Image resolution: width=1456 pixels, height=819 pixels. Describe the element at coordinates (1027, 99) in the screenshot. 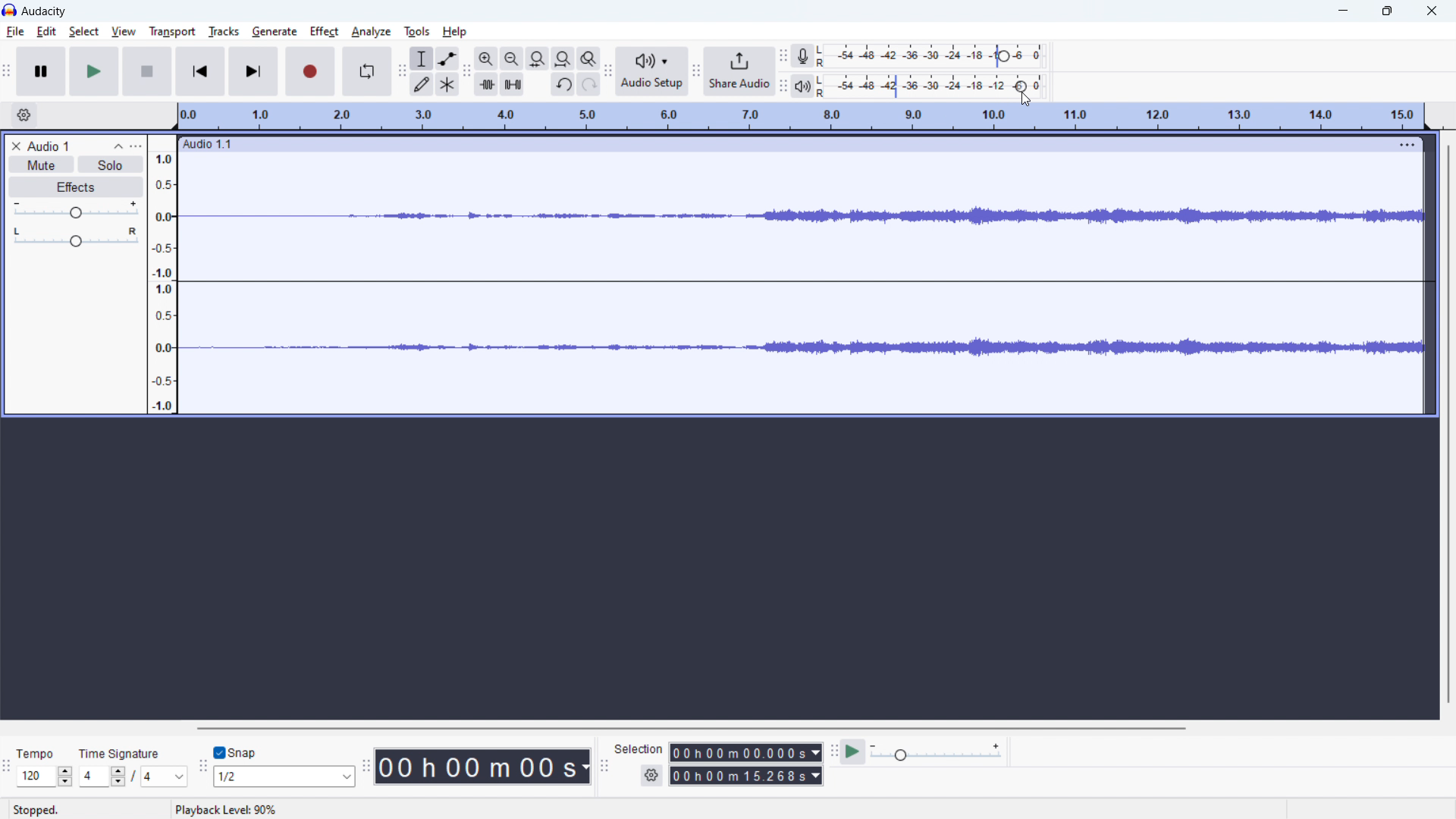

I see `cursor` at that location.